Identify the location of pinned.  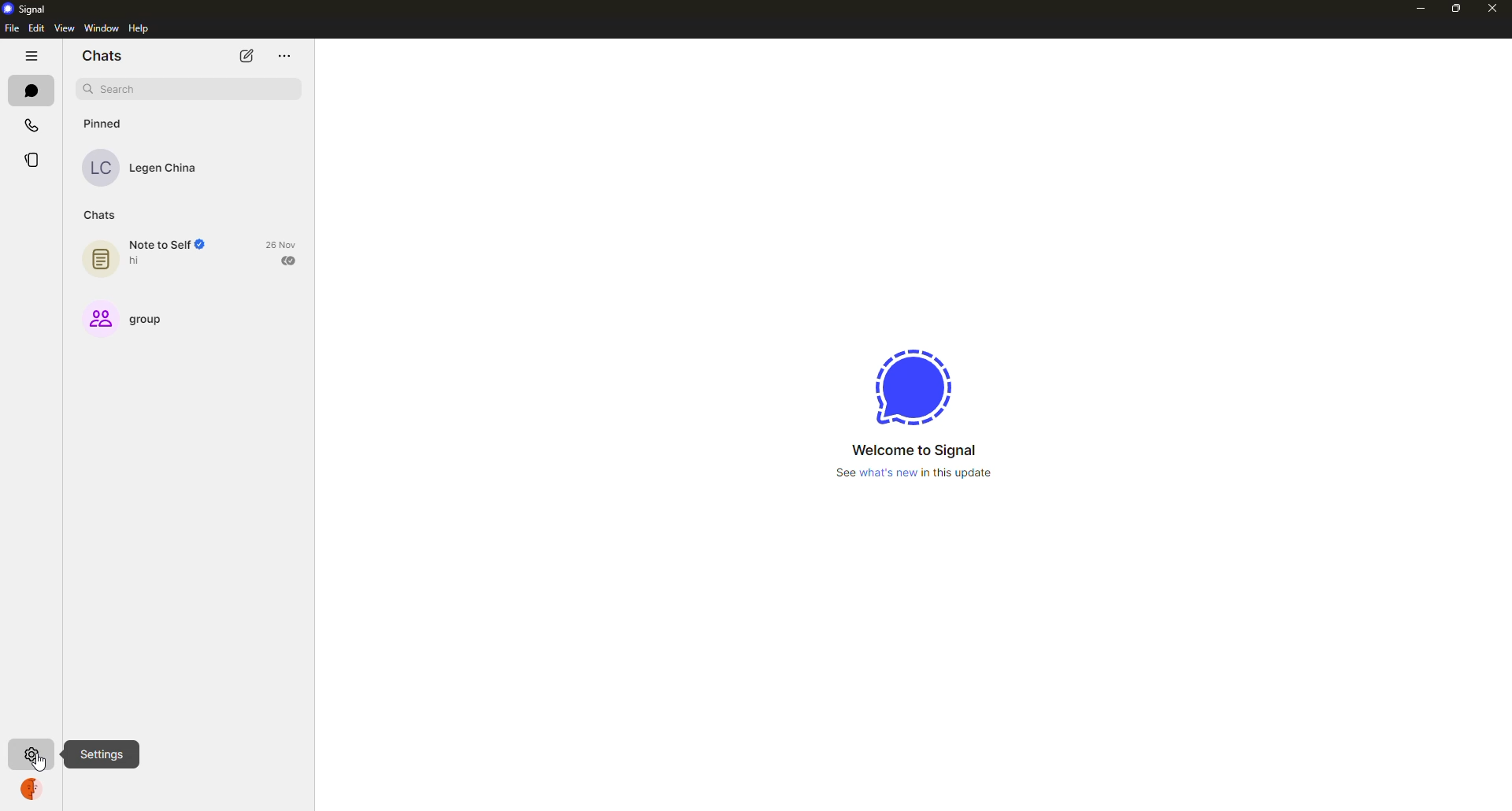
(106, 124).